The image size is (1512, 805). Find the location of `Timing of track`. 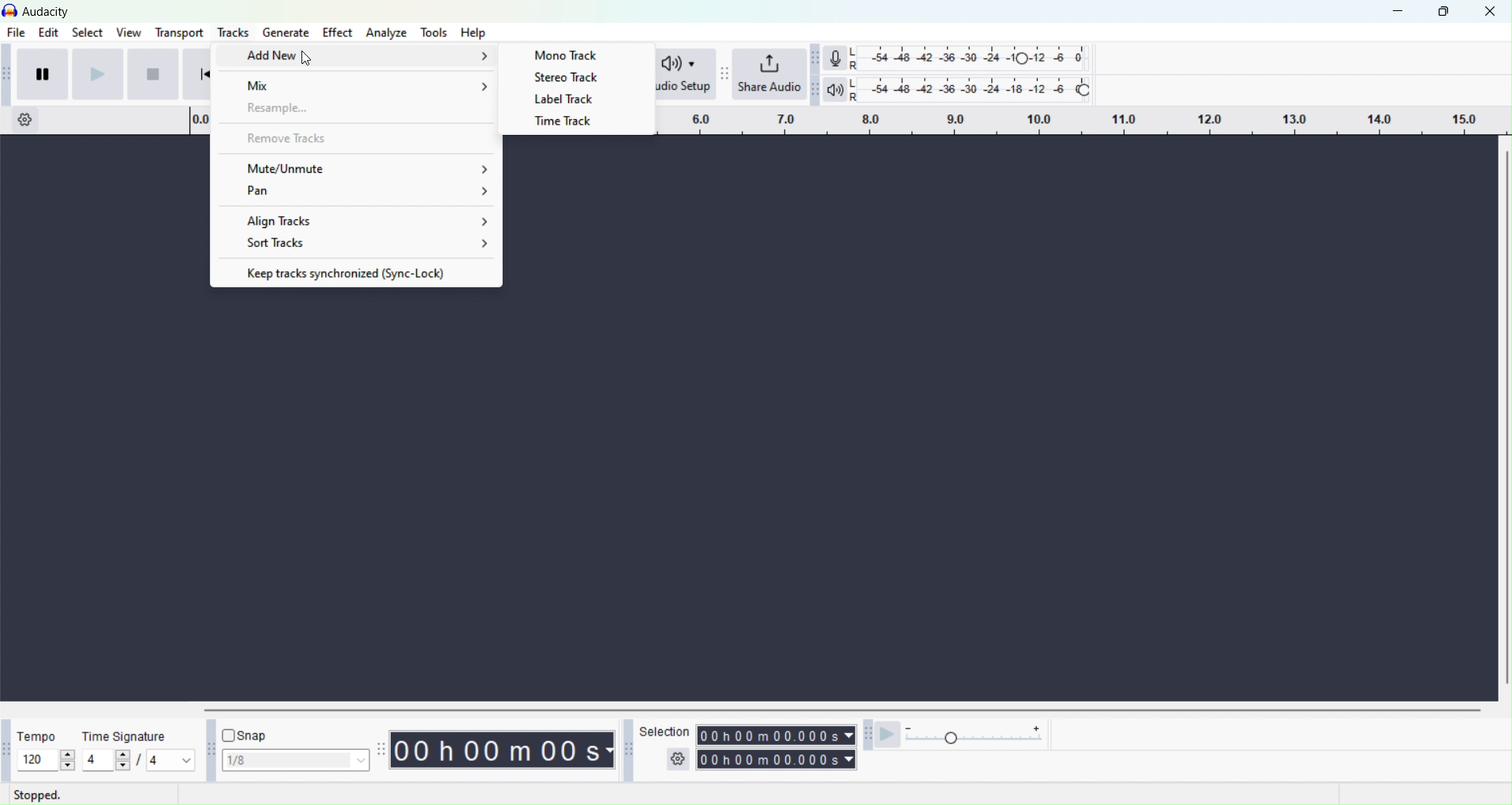

Timing of track is located at coordinates (776, 734).